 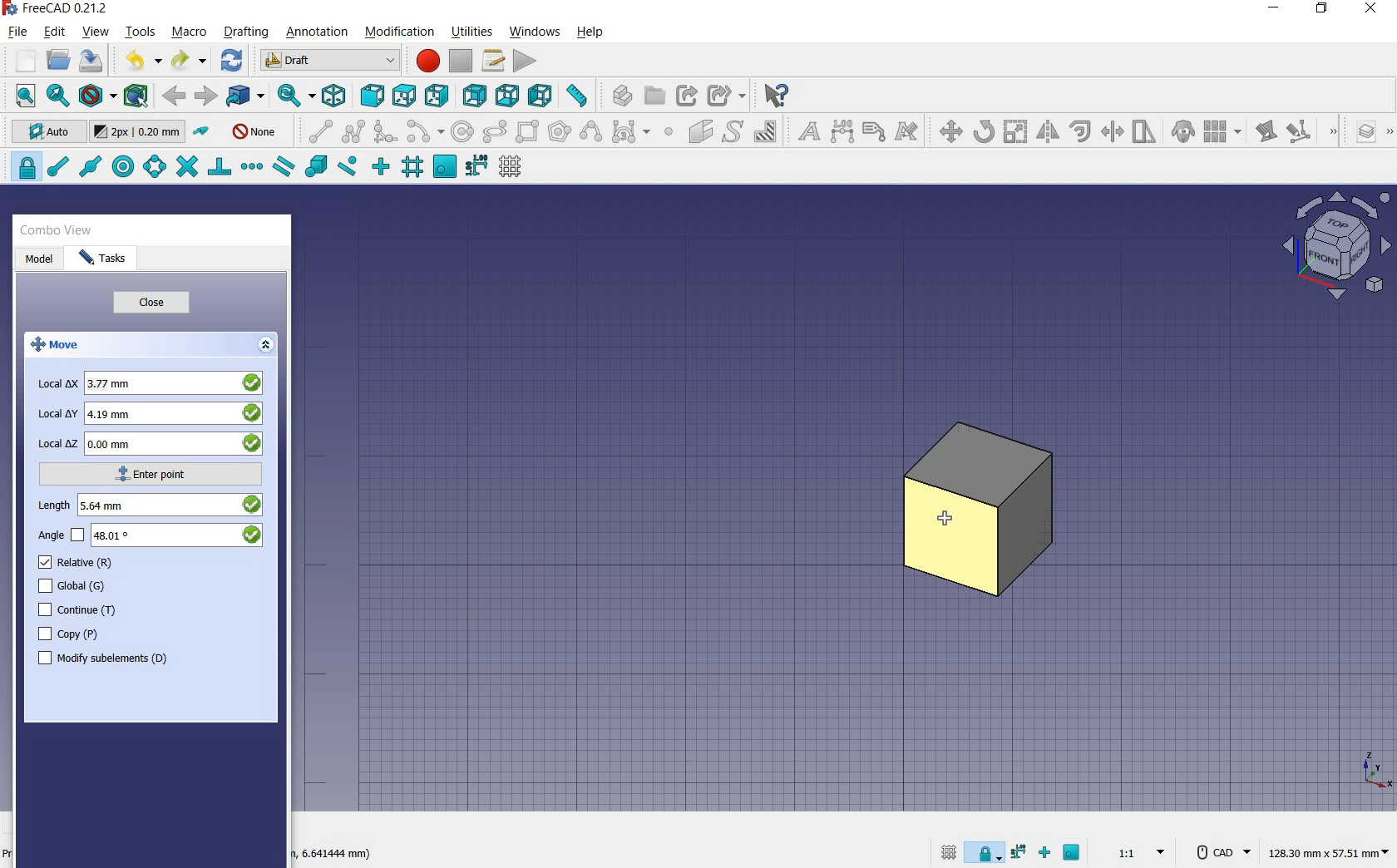 What do you see at coordinates (985, 131) in the screenshot?
I see `rotate` at bounding box center [985, 131].